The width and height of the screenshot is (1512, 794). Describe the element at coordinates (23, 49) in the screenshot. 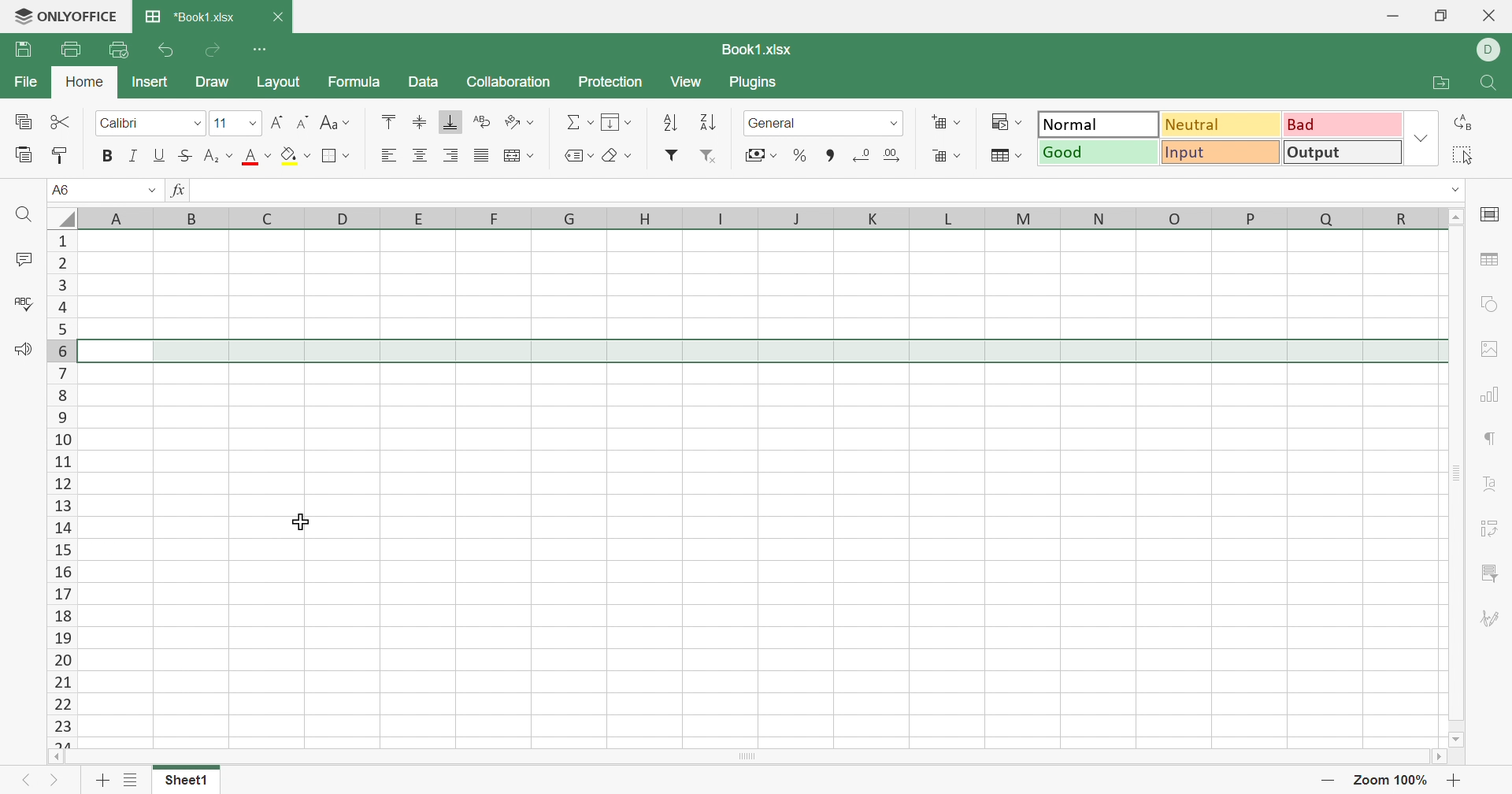

I see `Save` at that location.